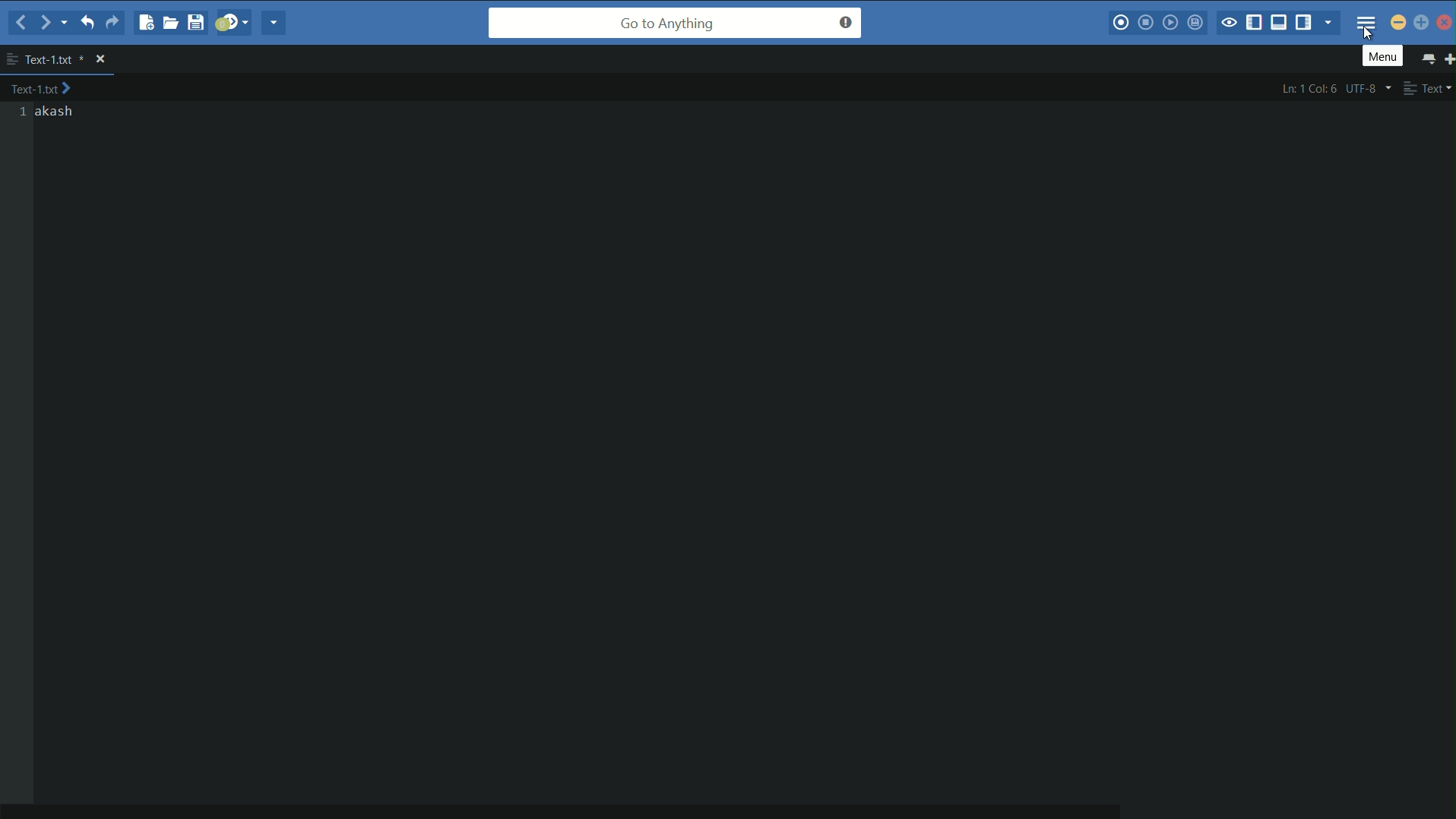 The height and width of the screenshot is (819, 1456). Describe the element at coordinates (86, 21) in the screenshot. I see `undo` at that location.